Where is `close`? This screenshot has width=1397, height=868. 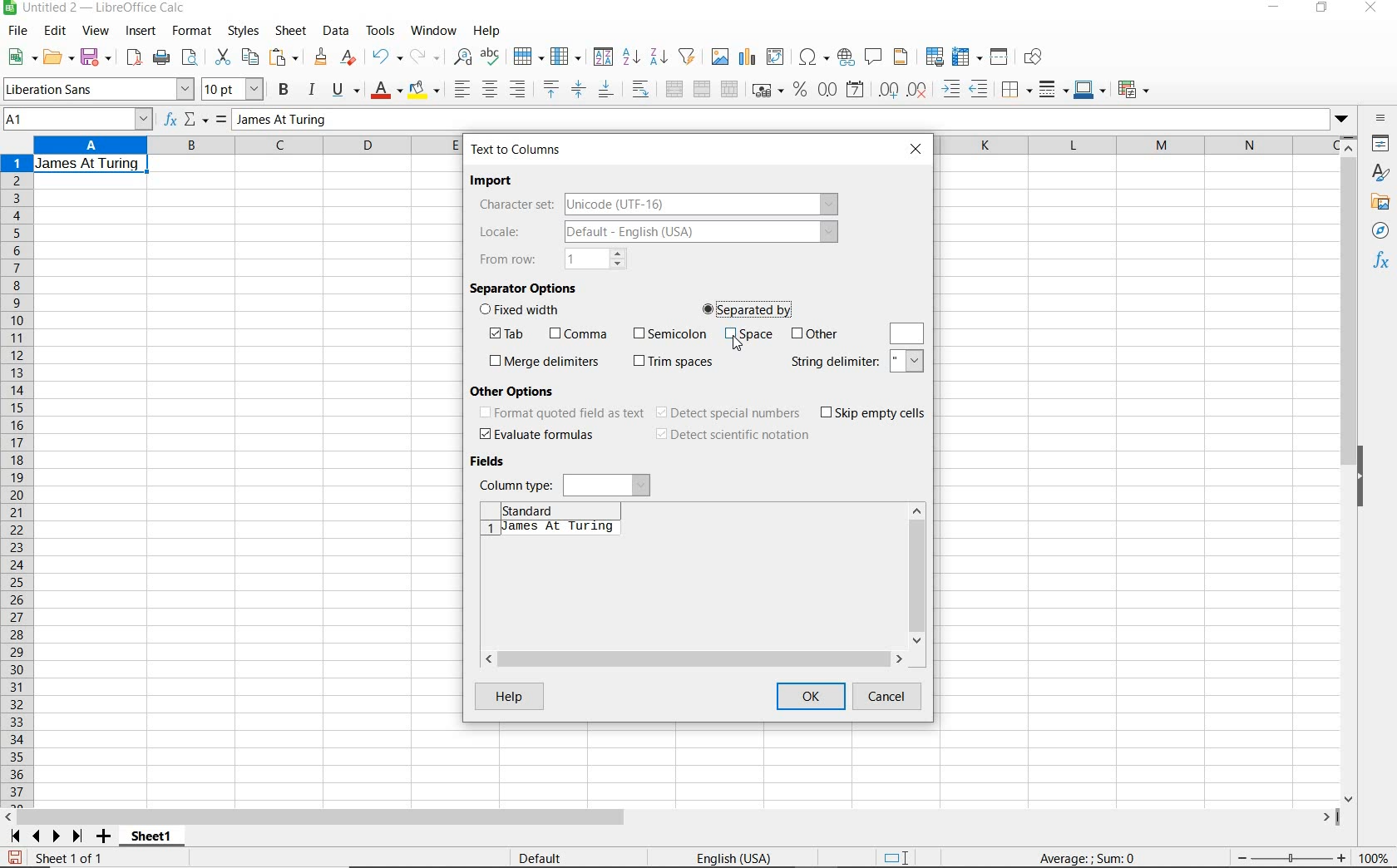
close is located at coordinates (918, 148).